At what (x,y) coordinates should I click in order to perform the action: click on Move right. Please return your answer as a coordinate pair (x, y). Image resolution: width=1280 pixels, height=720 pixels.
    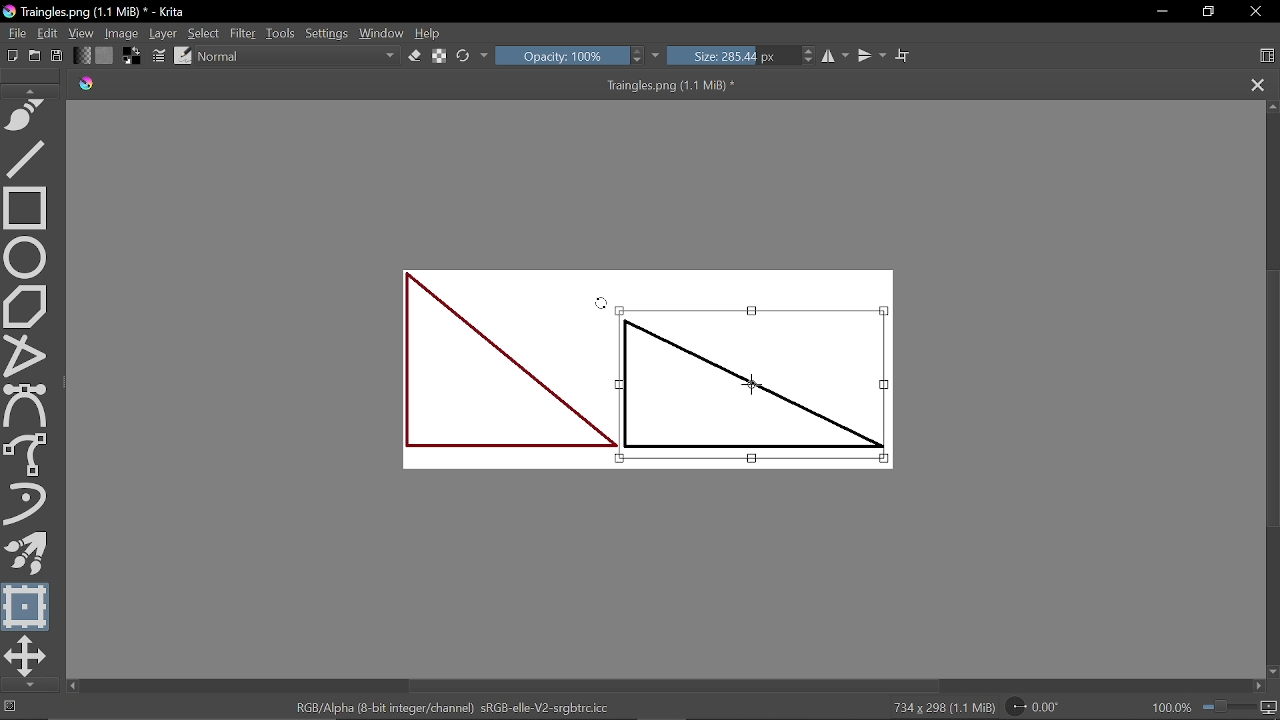
    Looking at the image, I should click on (1258, 687).